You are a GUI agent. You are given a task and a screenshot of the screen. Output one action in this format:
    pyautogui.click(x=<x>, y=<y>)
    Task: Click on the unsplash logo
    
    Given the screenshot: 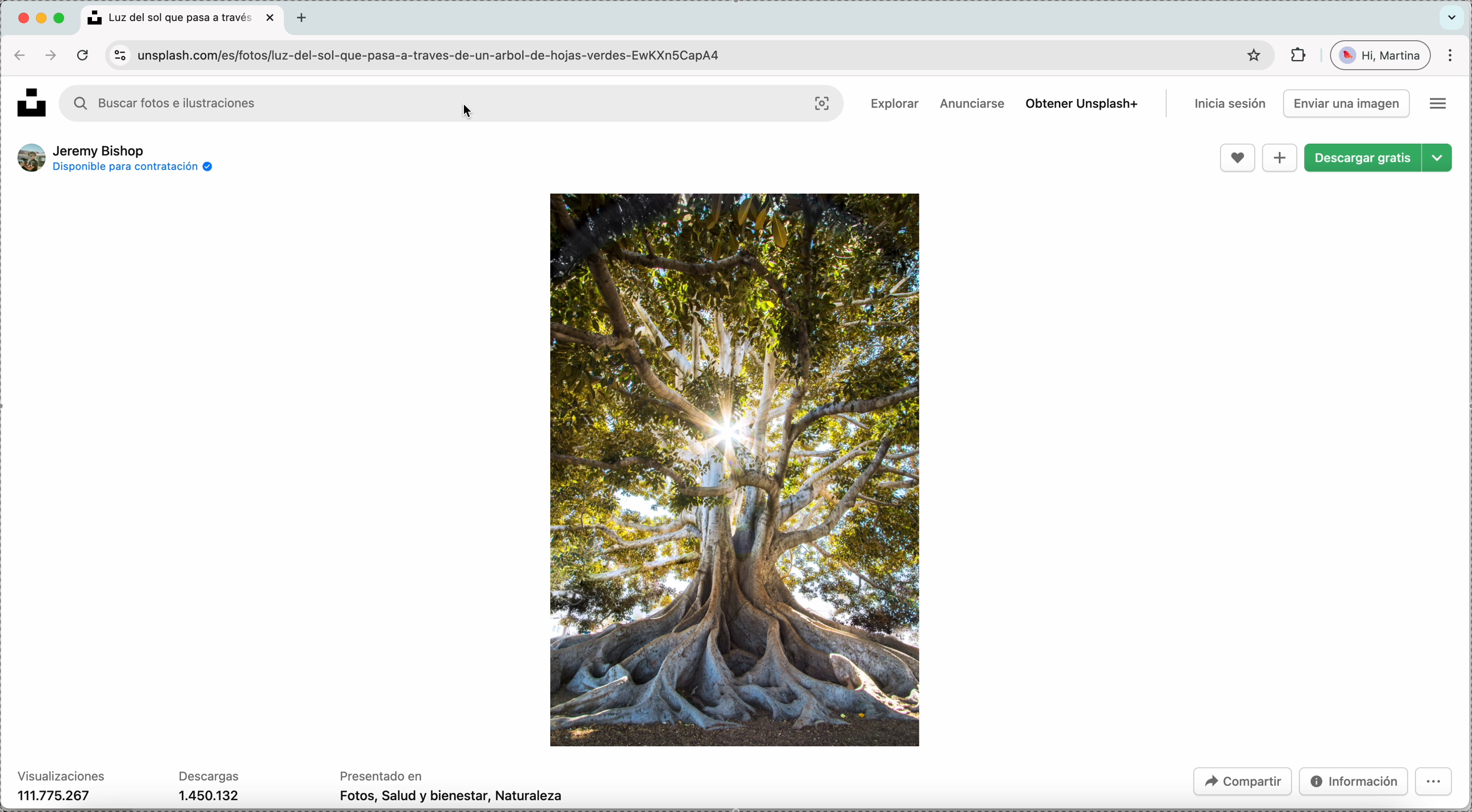 What is the action you would take?
    pyautogui.click(x=29, y=99)
    